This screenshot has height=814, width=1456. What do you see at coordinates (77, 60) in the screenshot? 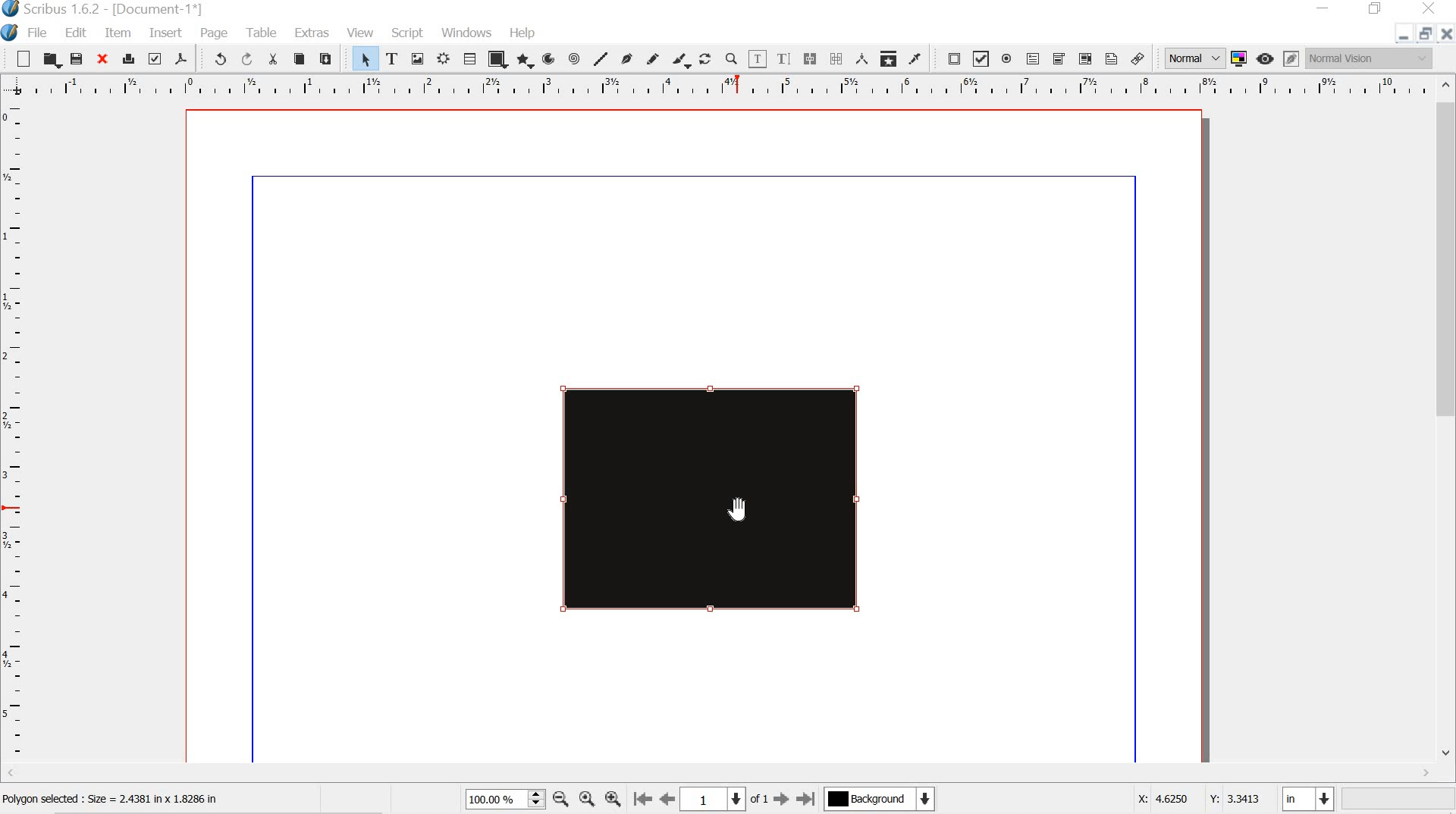
I see `save` at bounding box center [77, 60].